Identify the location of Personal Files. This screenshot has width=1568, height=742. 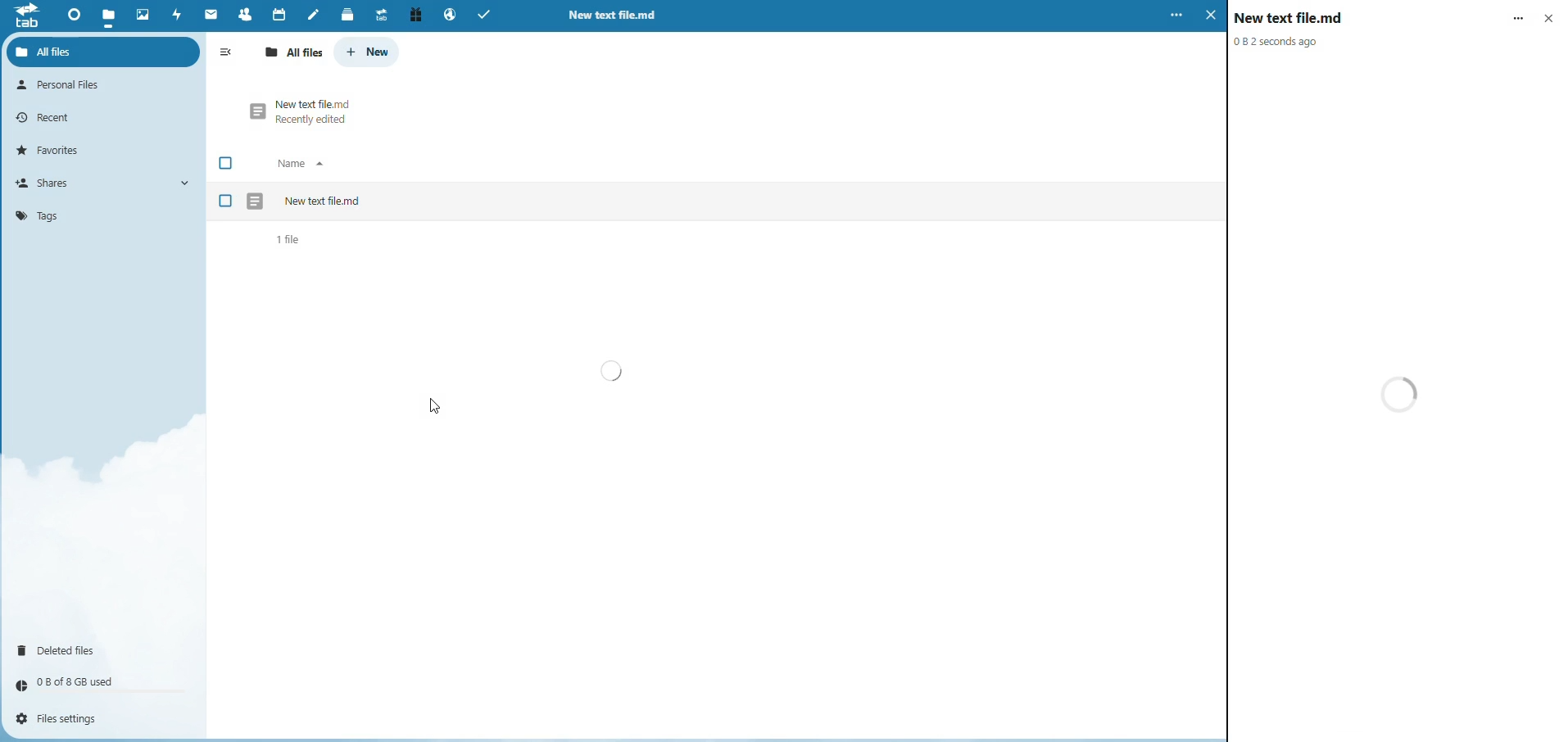
(66, 85).